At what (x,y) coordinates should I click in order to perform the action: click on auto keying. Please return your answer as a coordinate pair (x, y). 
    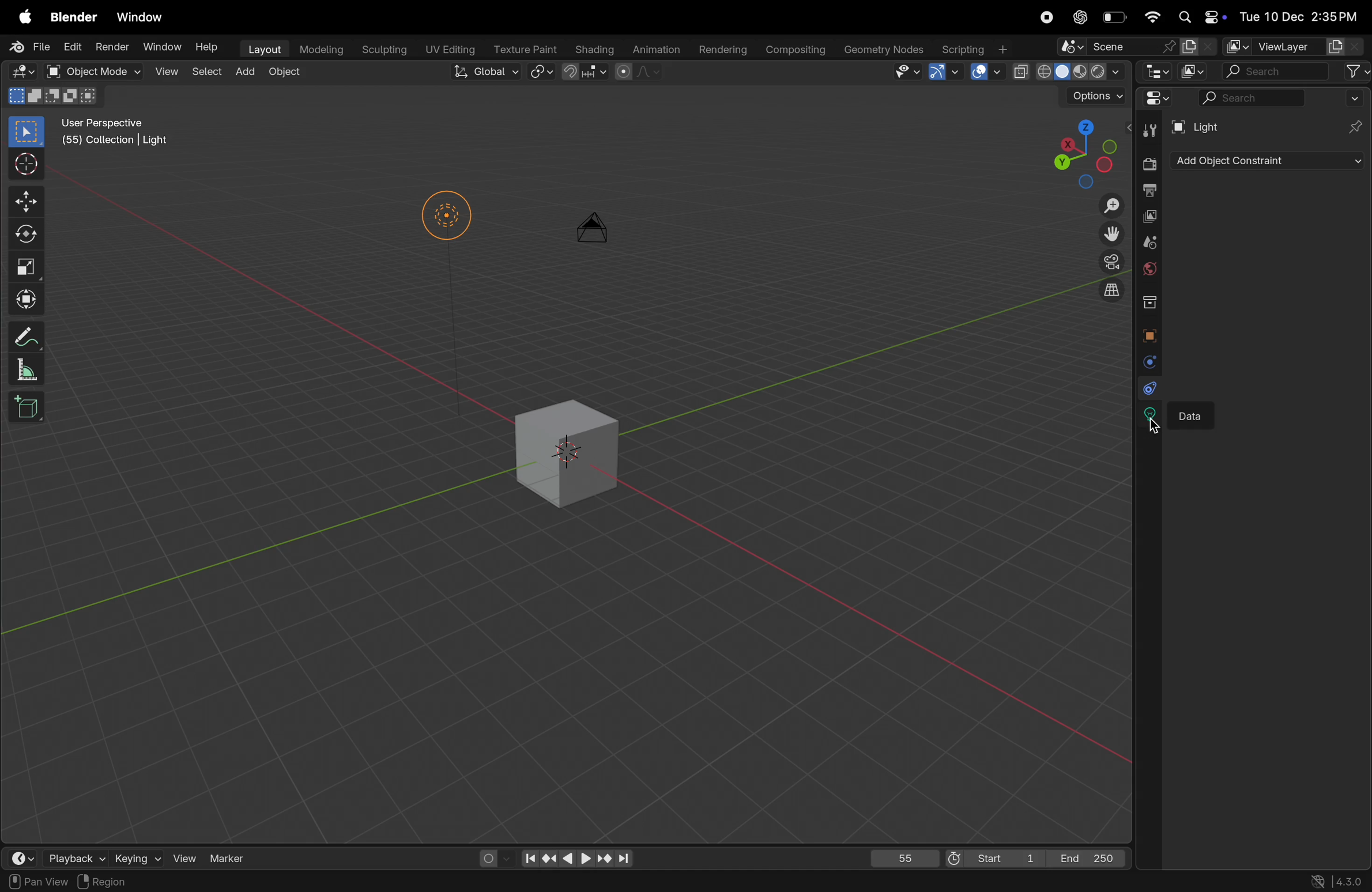
    Looking at the image, I should click on (492, 857).